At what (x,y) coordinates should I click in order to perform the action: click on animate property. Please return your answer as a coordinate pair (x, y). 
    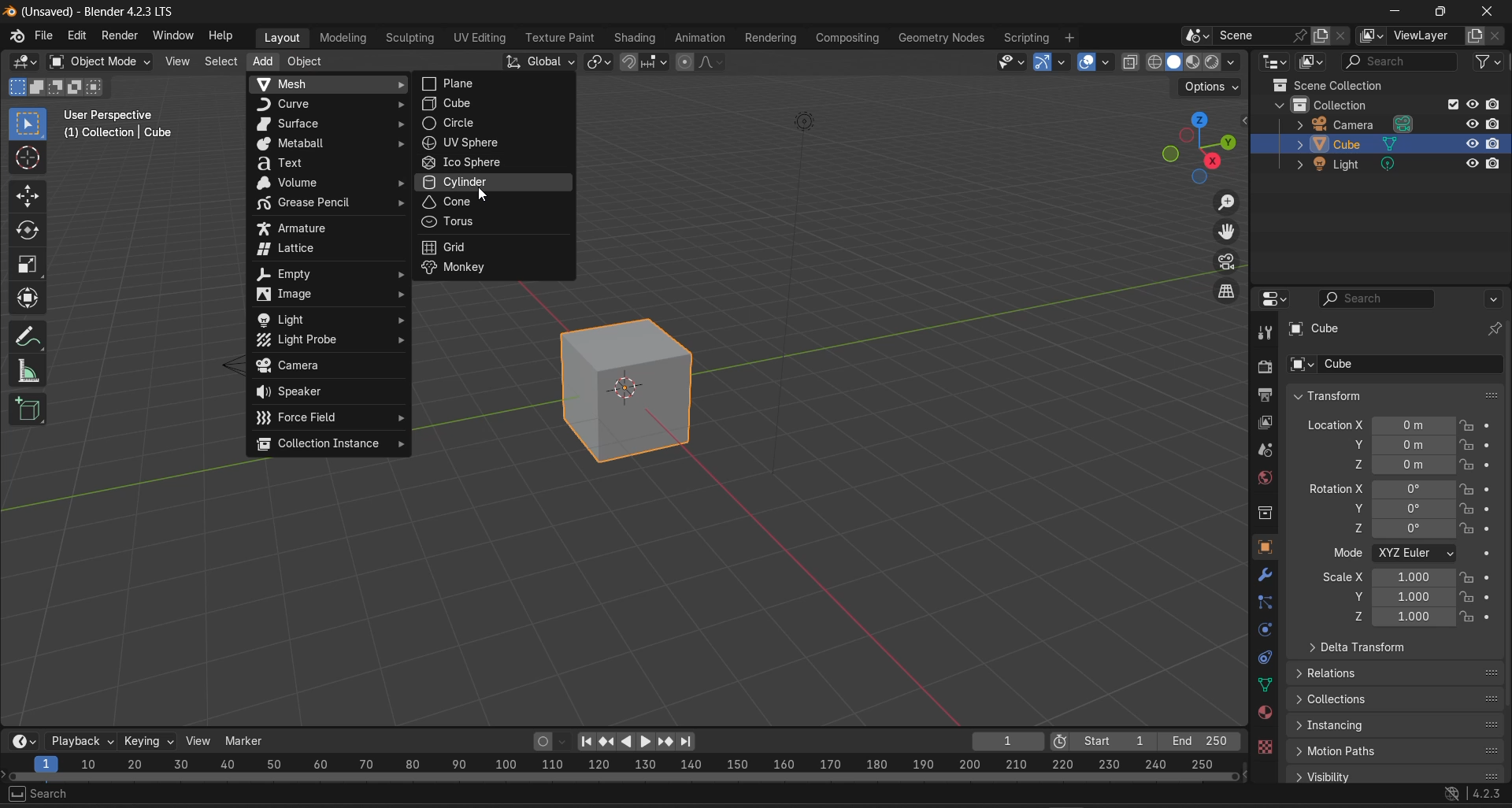
    Looking at the image, I should click on (1489, 464).